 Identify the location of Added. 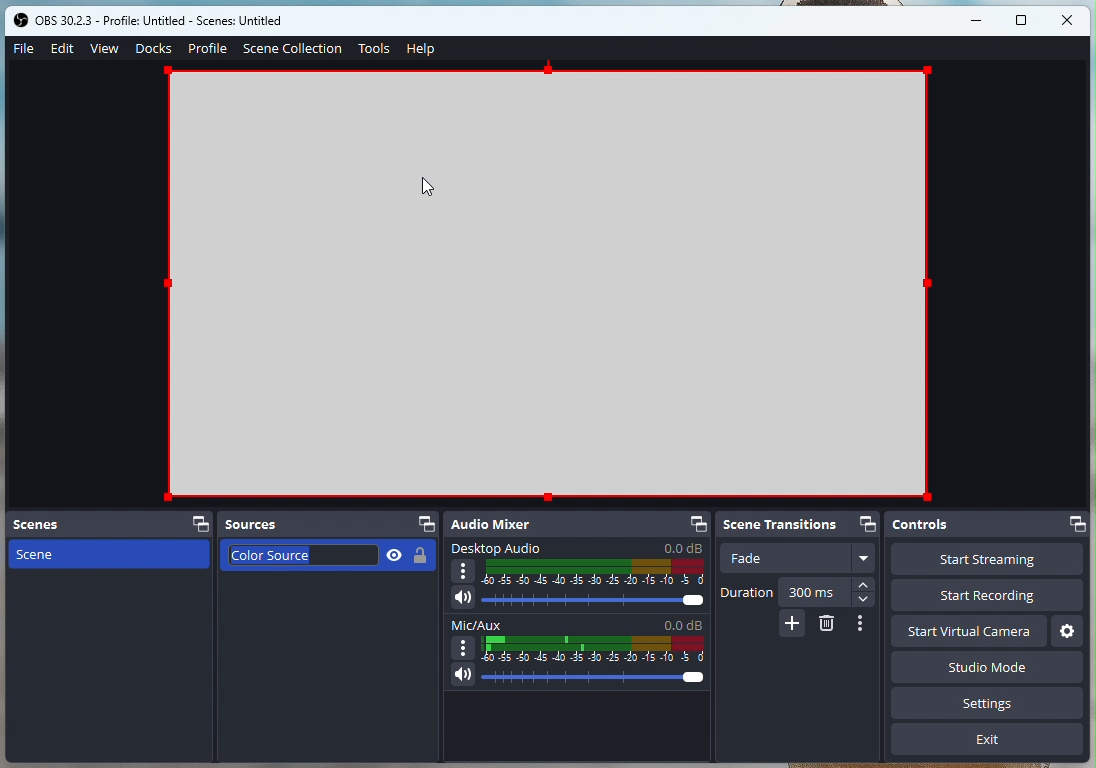
(792, 625).